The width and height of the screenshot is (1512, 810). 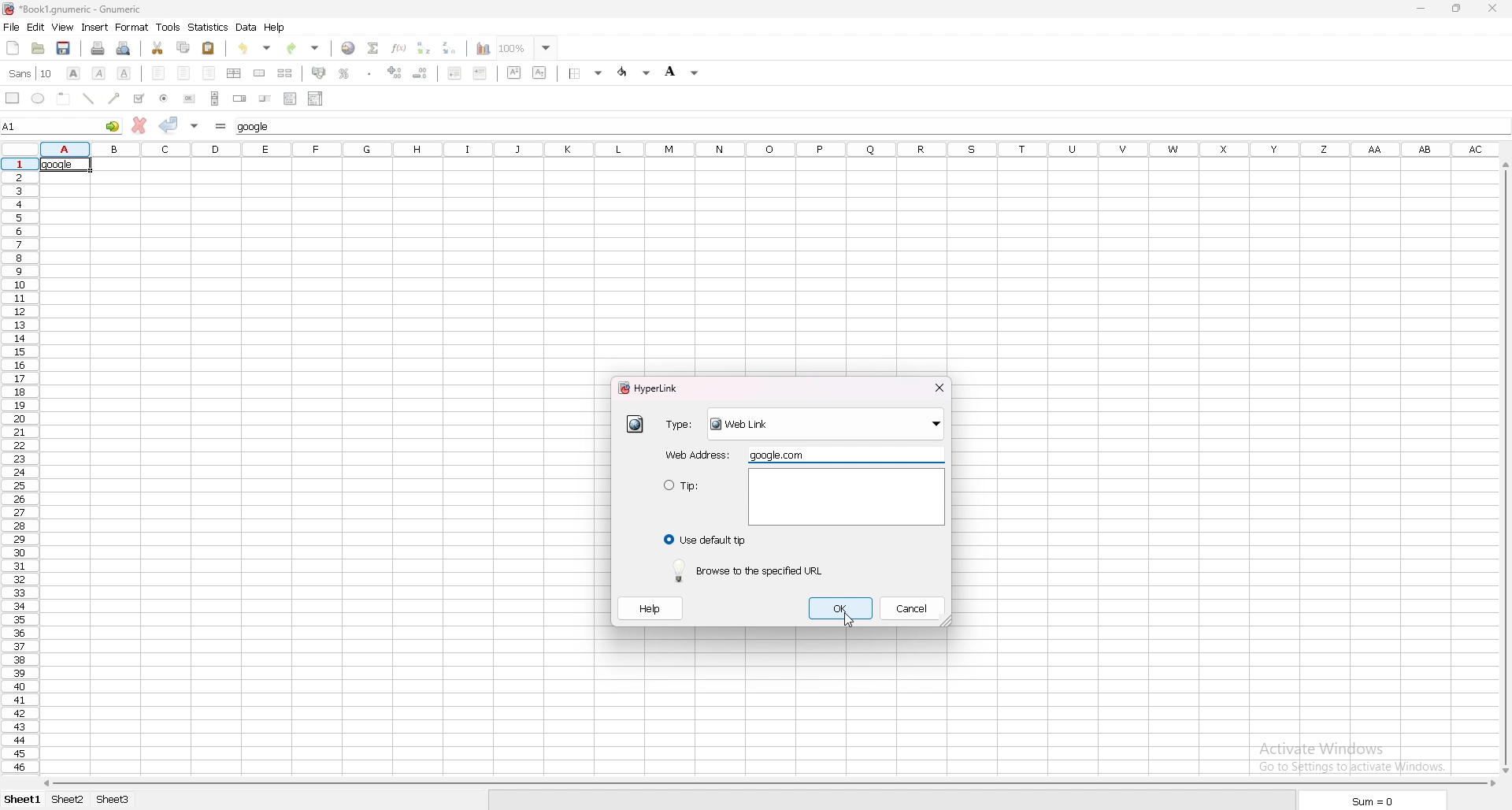 I want to click on thousands separator, so click(x=371, y=72).